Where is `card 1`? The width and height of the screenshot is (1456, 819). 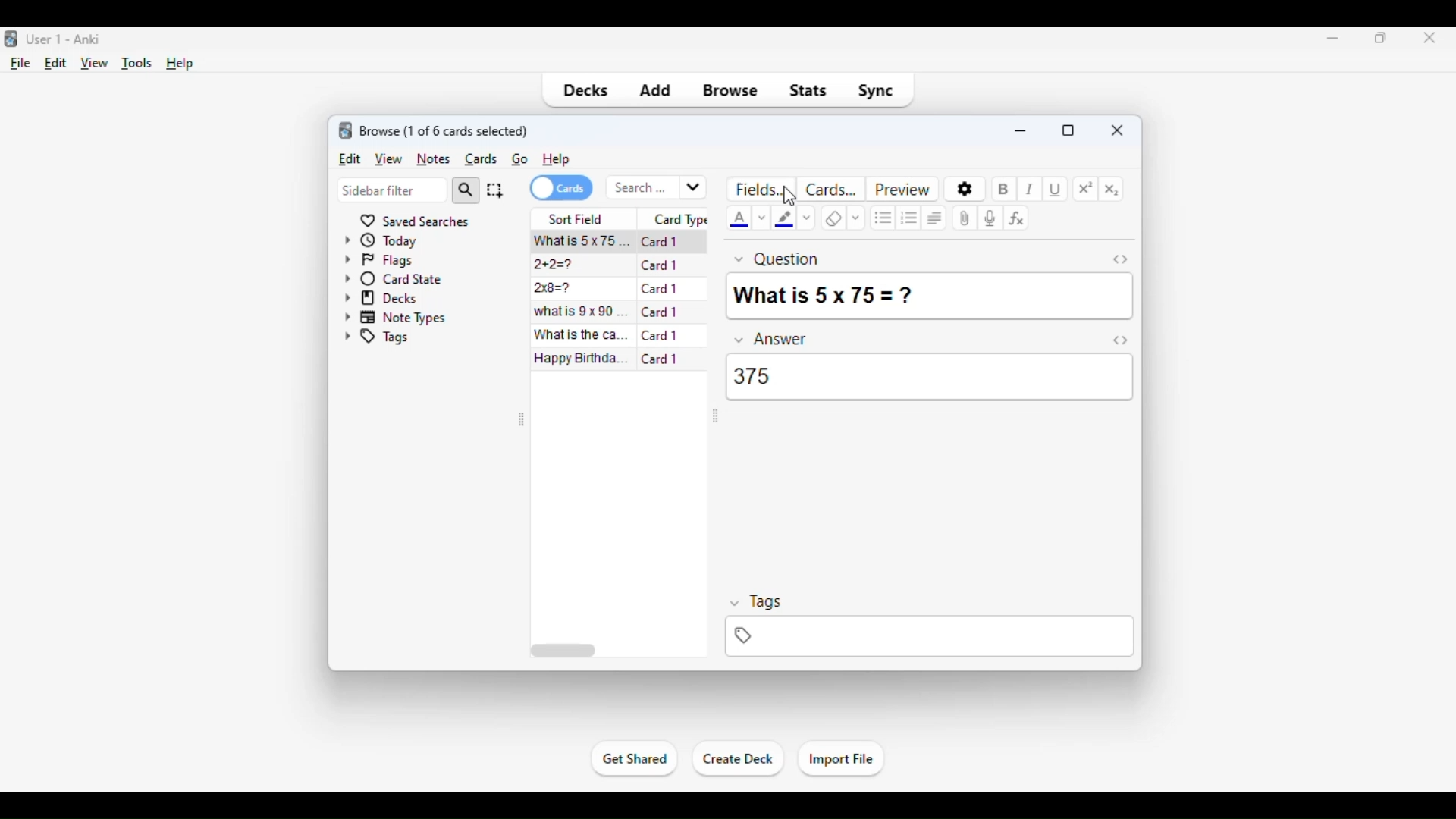
card 1 is located at coordinates (661, 335).